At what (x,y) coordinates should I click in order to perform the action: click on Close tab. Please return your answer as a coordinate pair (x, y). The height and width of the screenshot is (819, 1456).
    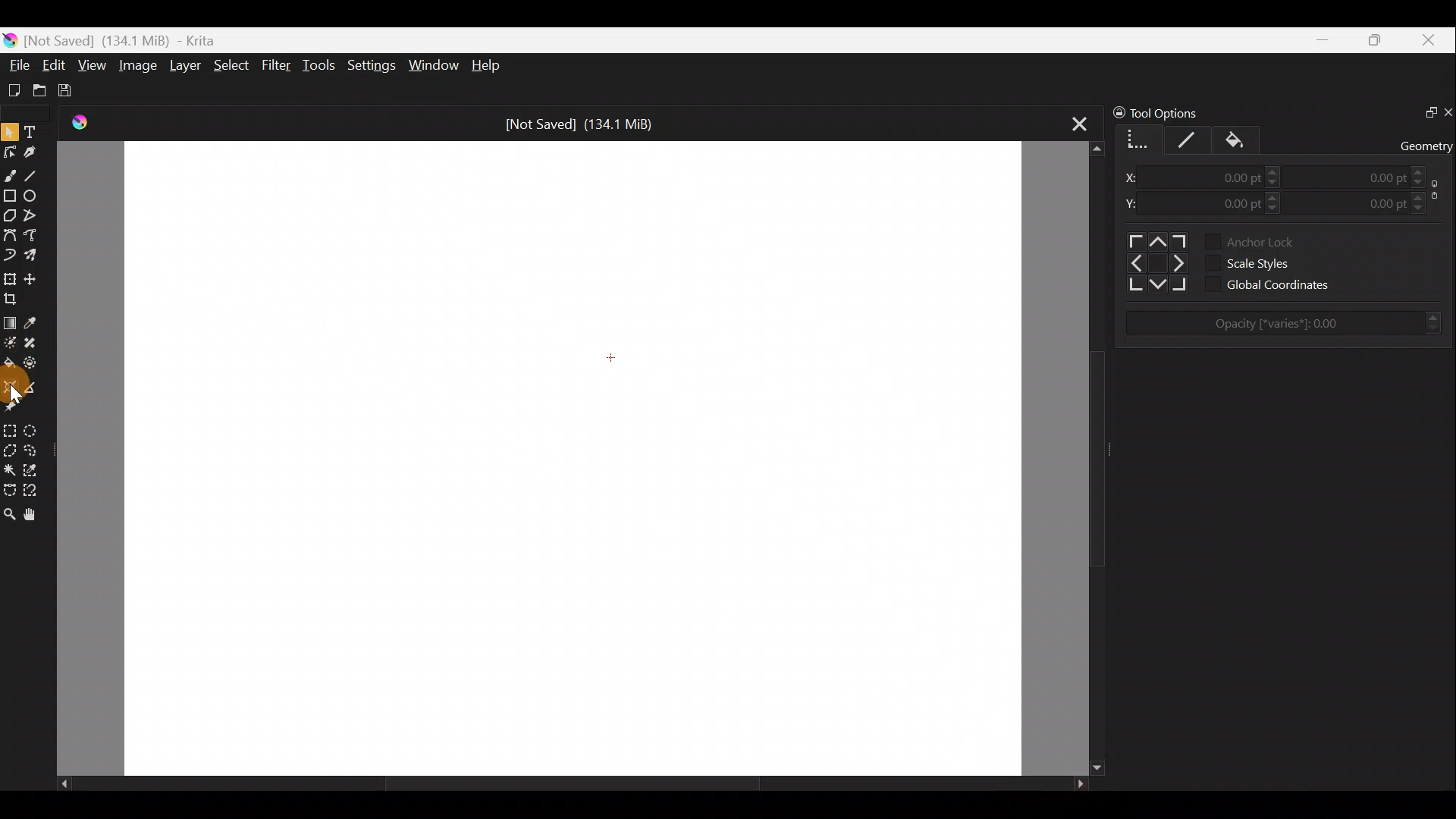
    Looking at the image, I should click on (1071, 124).